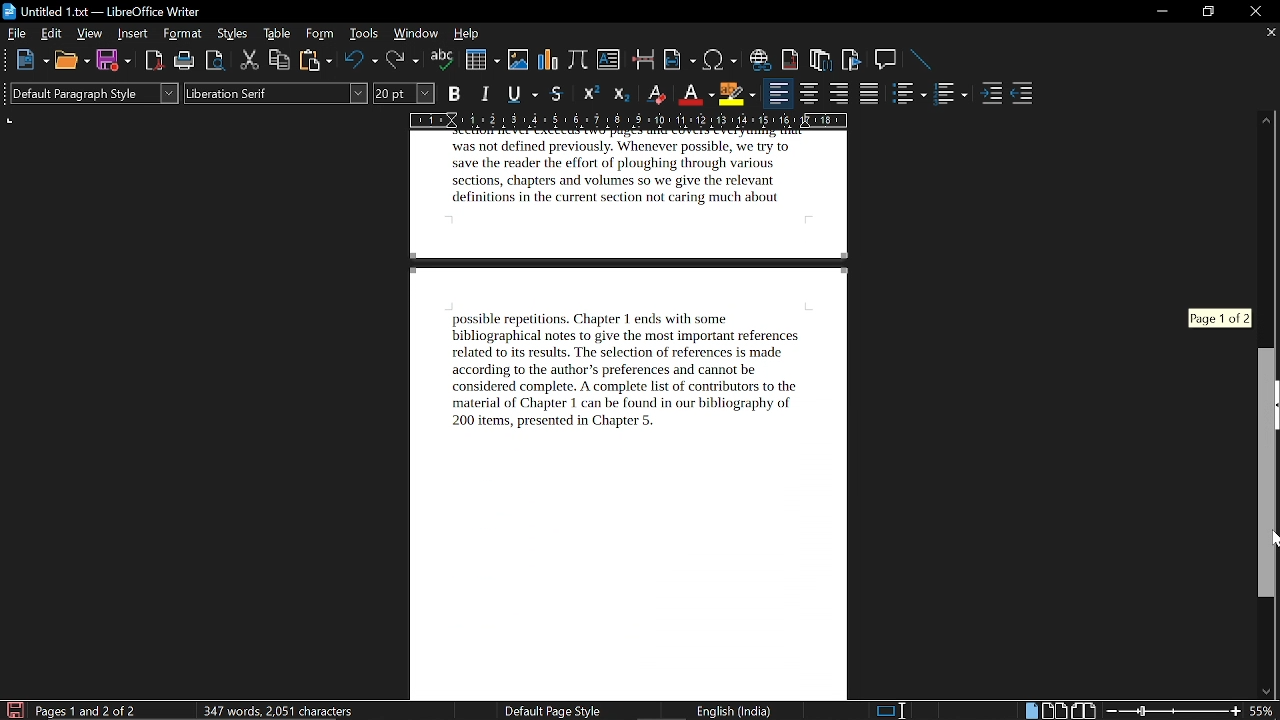  What do you see at coordinates (694, 93) in the screenshot?
I see `font color` at bounding box center [694, 93].